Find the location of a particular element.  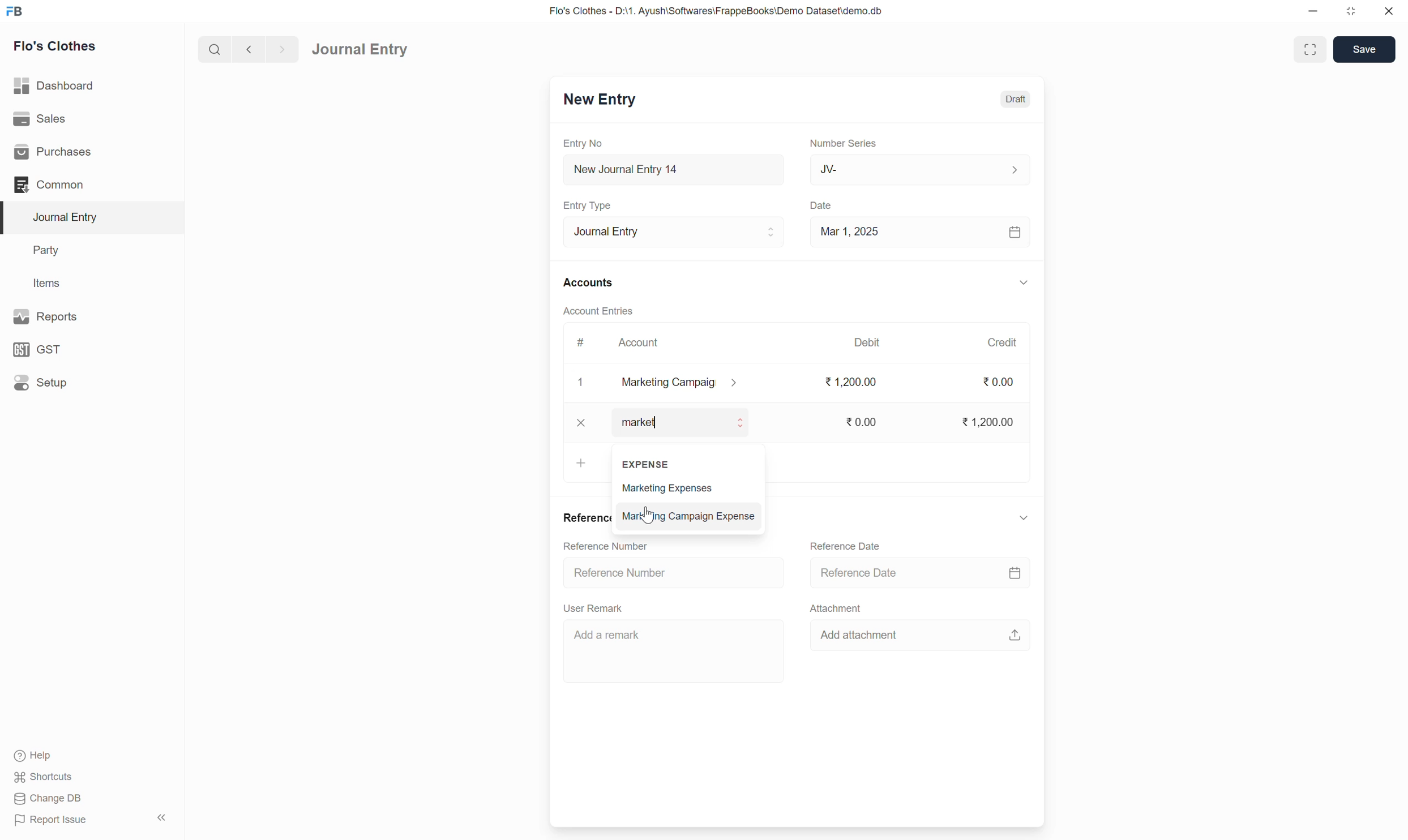

# is located at coordinates (581, 342).